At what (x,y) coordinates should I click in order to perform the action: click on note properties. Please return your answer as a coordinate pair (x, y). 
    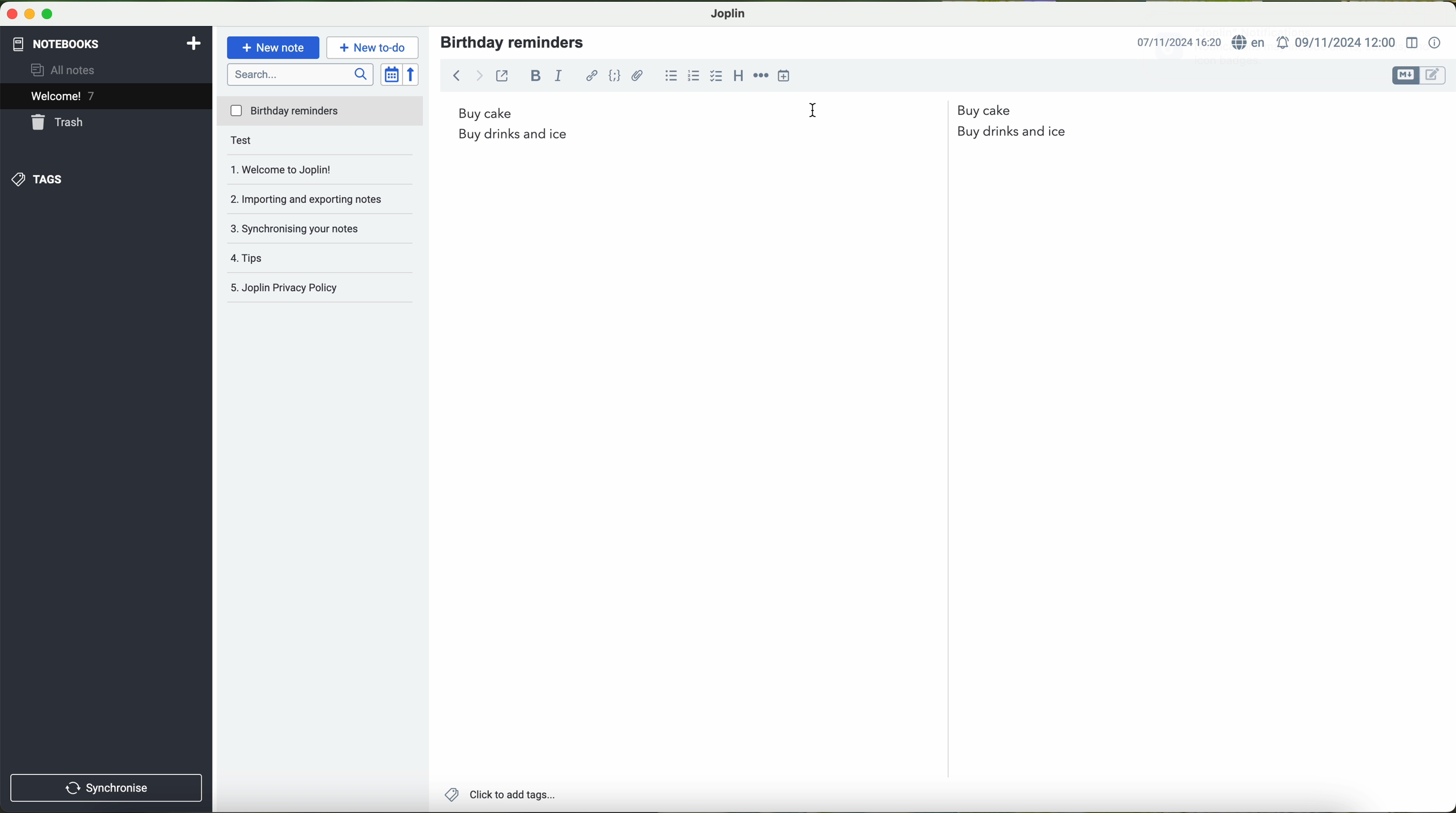
    Looking at the image, I should click on (1436, 43).